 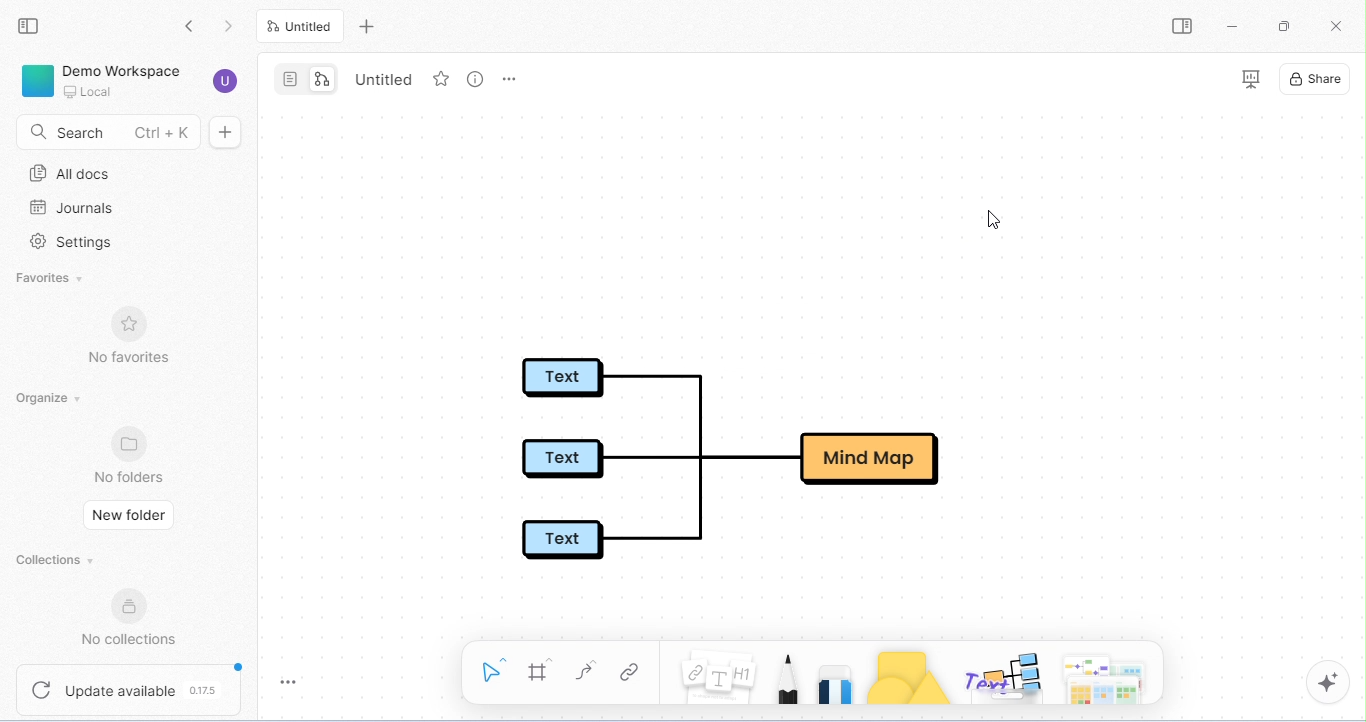 What do you see at coordinates (48, 399) in the screenshot?
I see `organize` at bounding box center [48, 399].